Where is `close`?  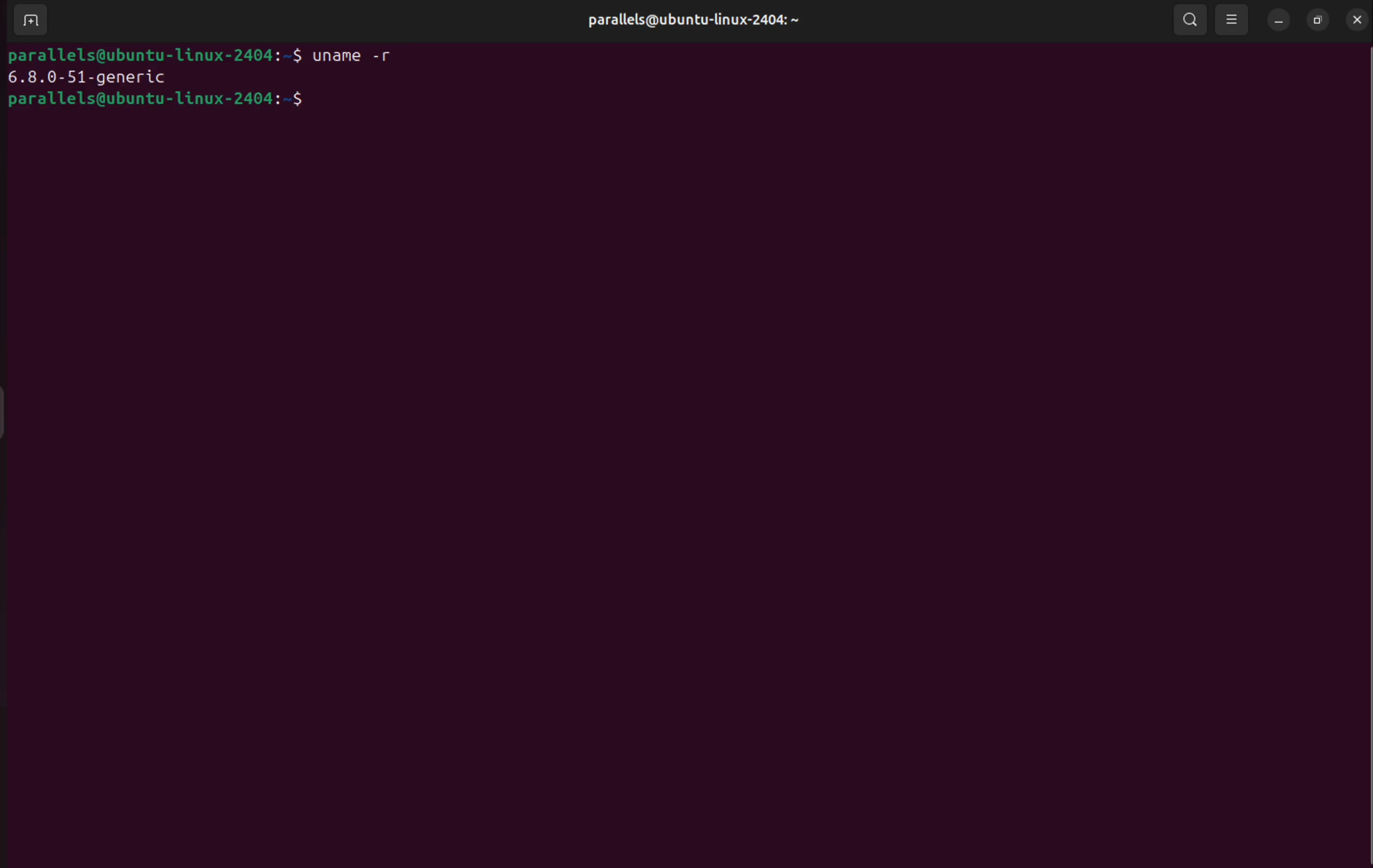
close is located at coordinates (1357, 17).